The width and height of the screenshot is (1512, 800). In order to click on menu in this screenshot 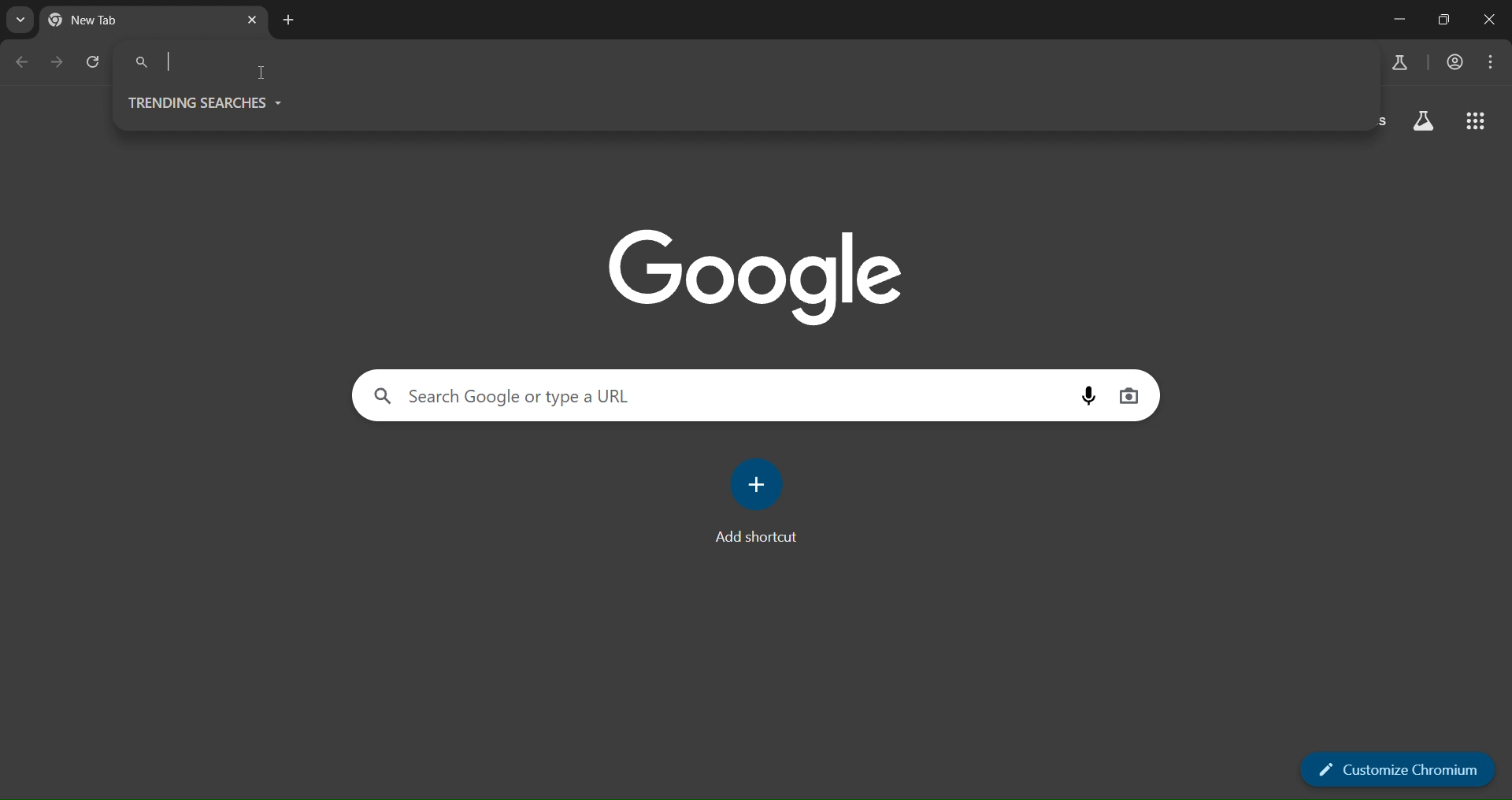, I will do `click(1495, 62)`.